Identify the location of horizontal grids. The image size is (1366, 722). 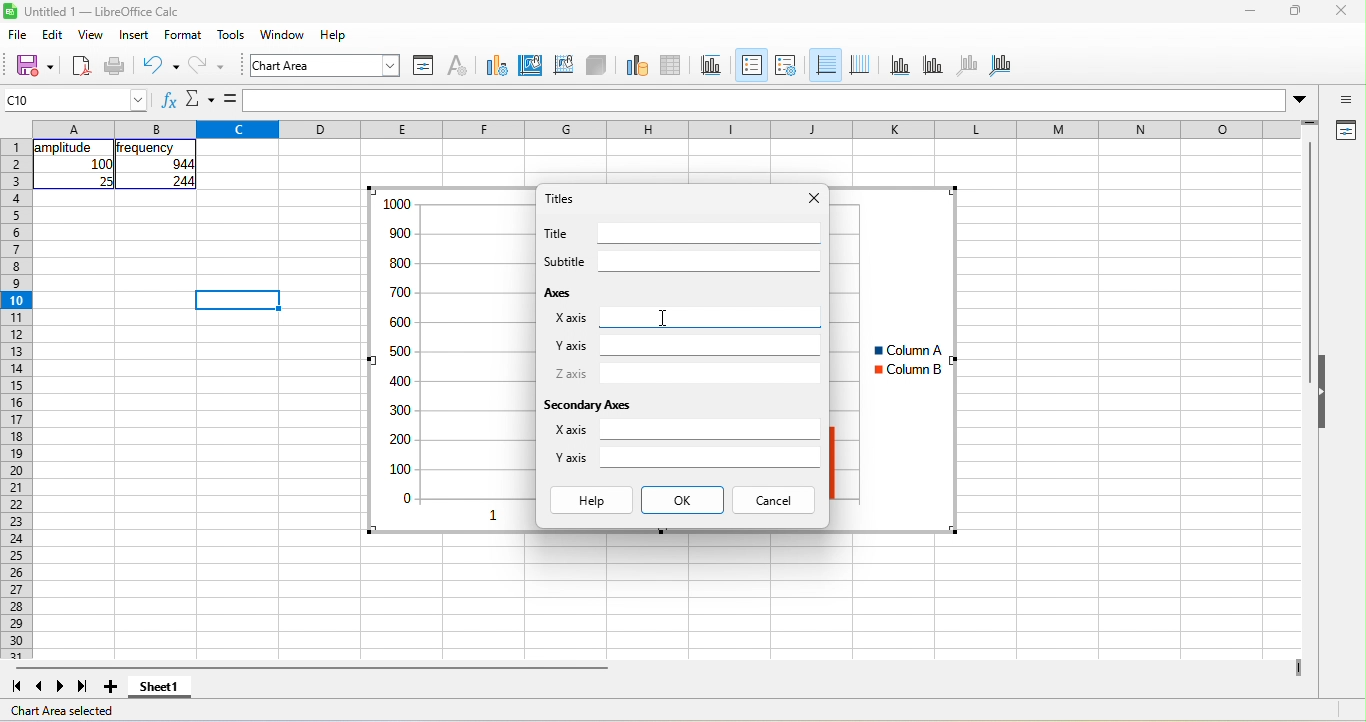
(825, 65).